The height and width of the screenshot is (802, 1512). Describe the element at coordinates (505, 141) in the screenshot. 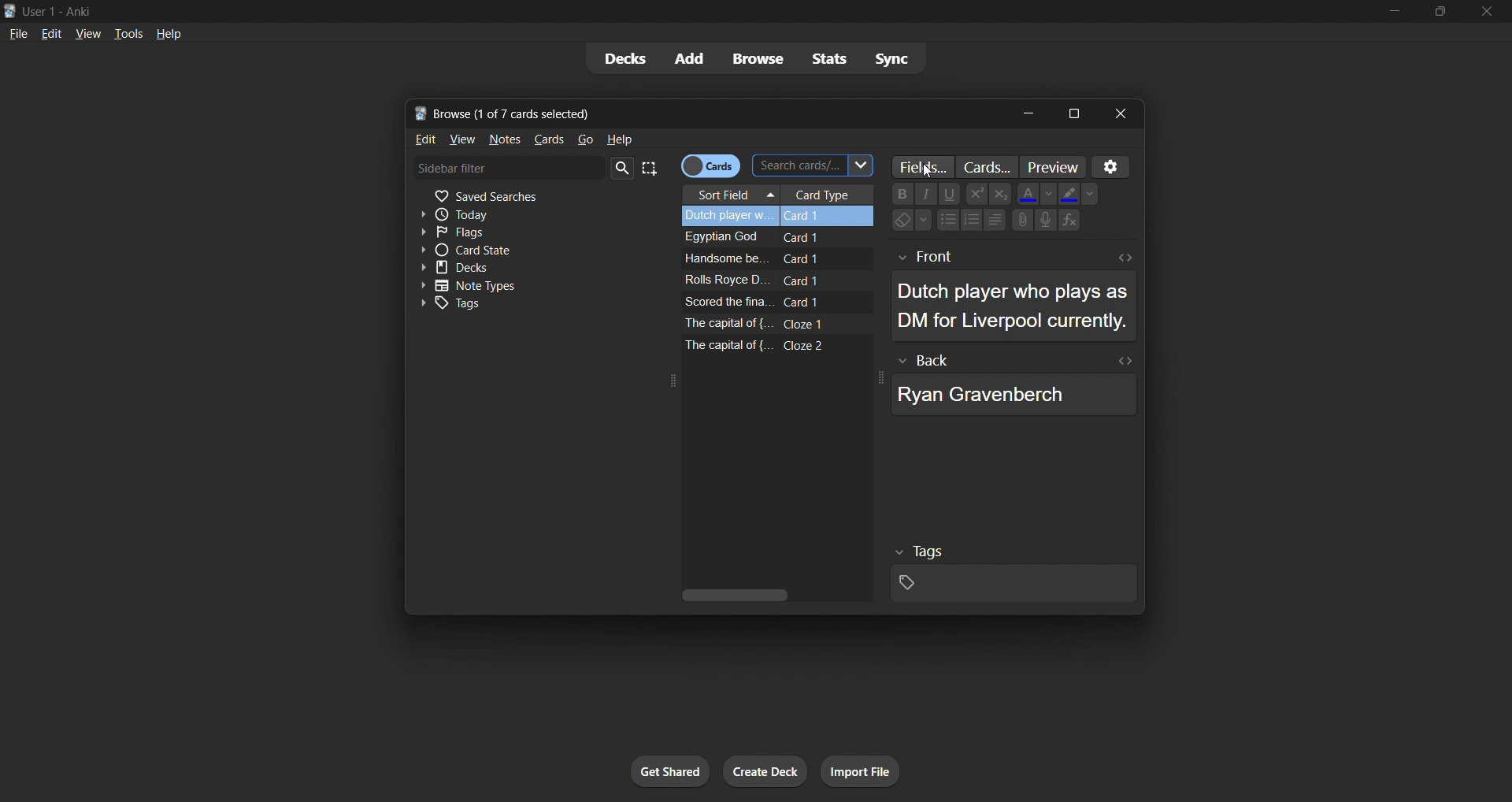

I see `notes` at that location.